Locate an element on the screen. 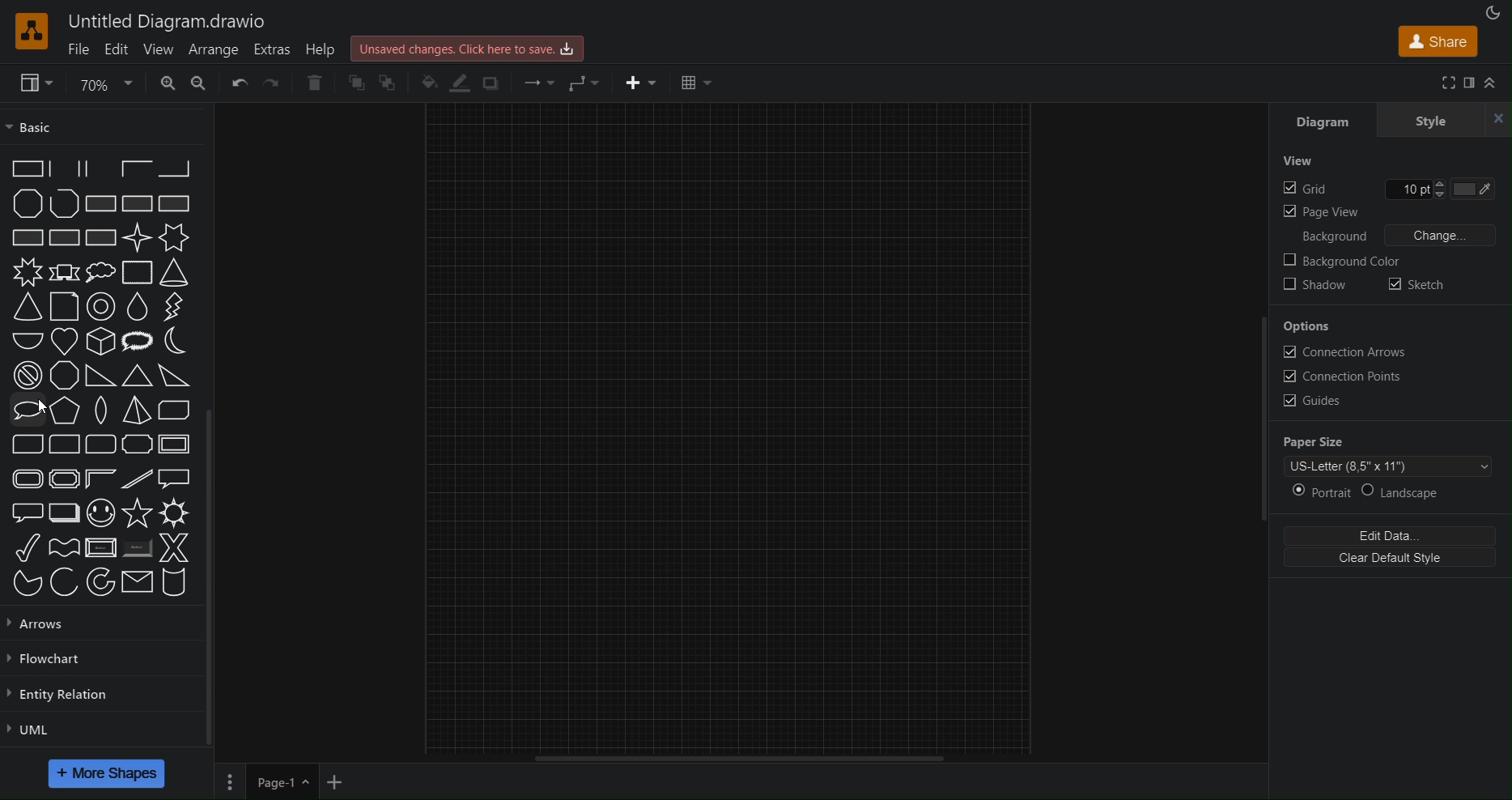 The image size is (1512, 800). Partial Rectangle is located at coordinates (136, 169).